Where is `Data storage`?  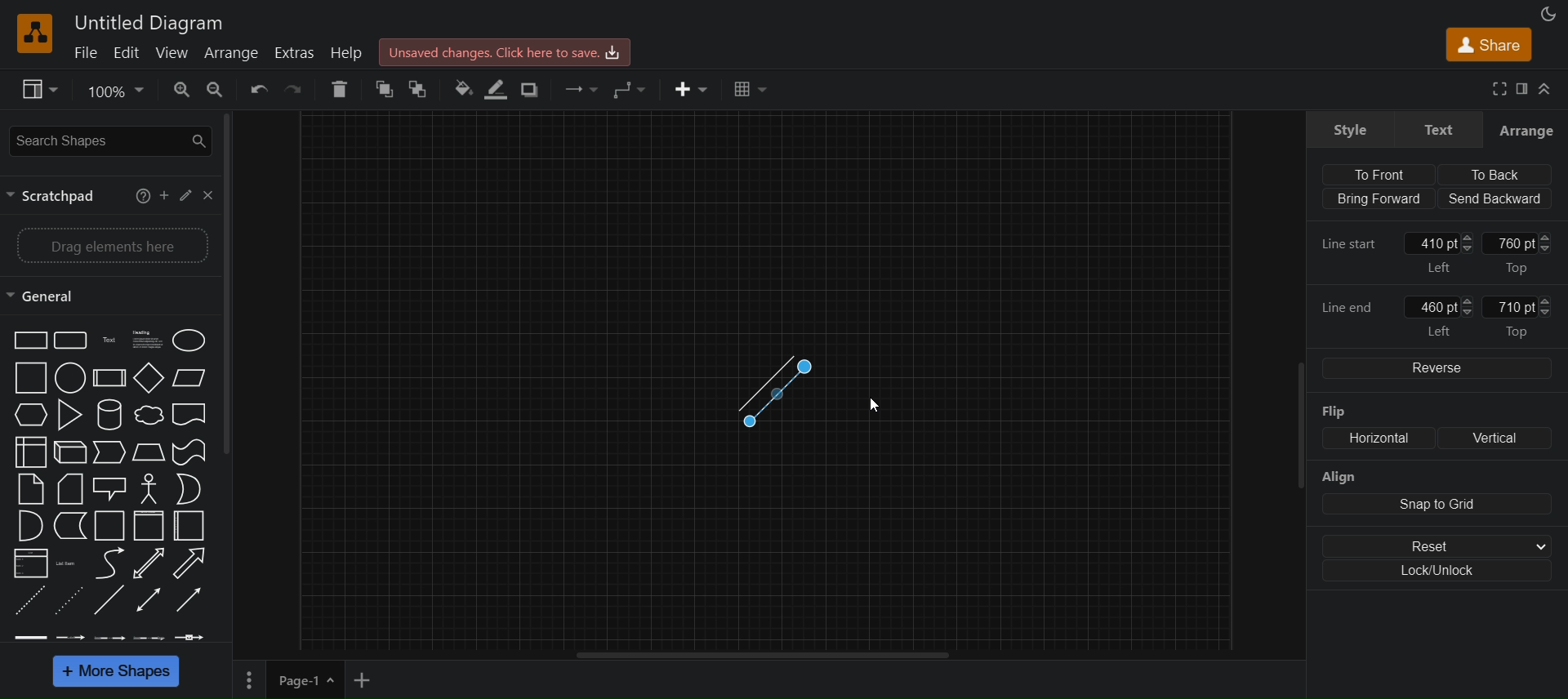 Data storage is located at coordinates (68, 526).